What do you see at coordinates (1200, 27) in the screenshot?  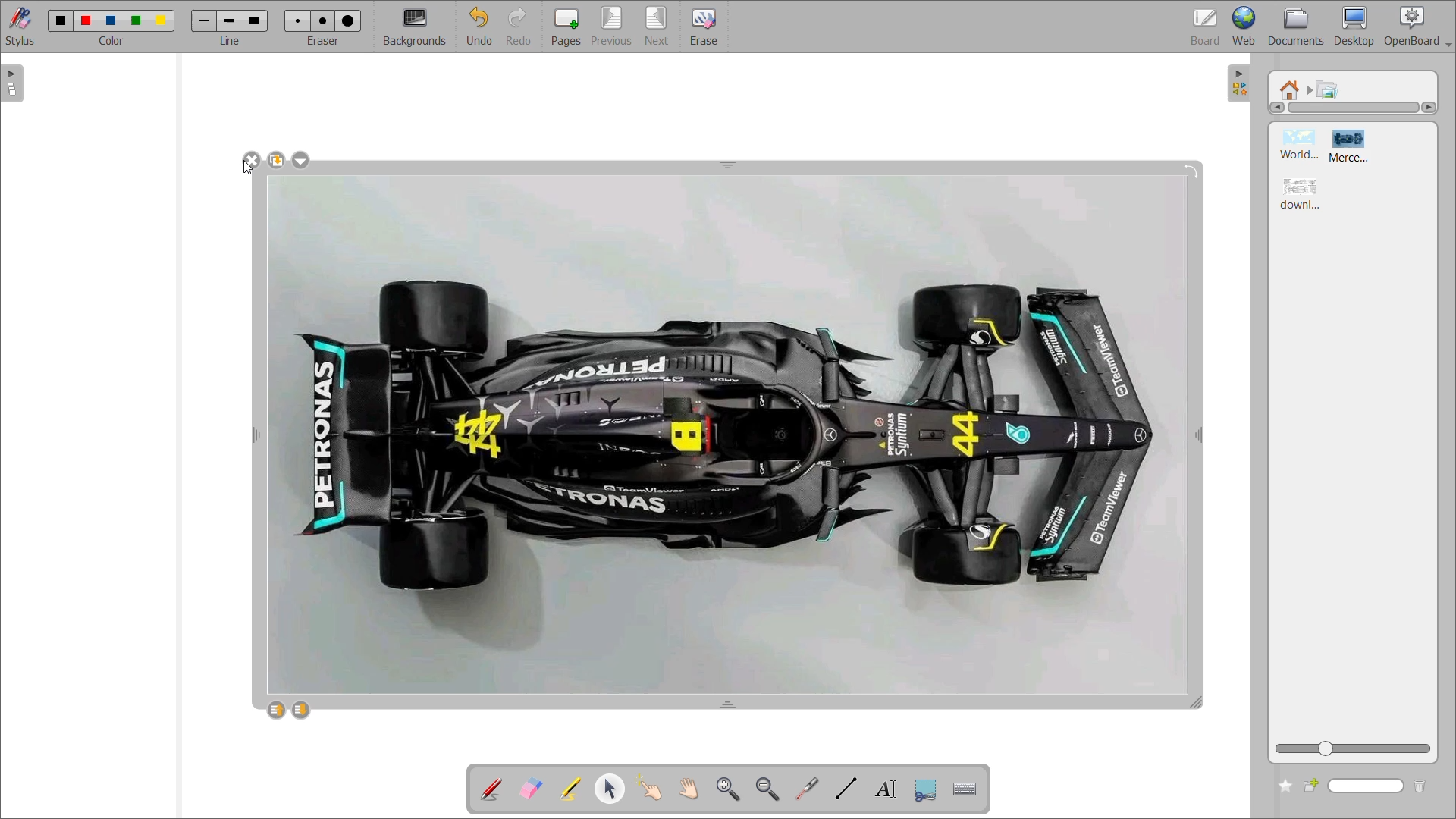 I see `board` at bounding box center [1200, 27].